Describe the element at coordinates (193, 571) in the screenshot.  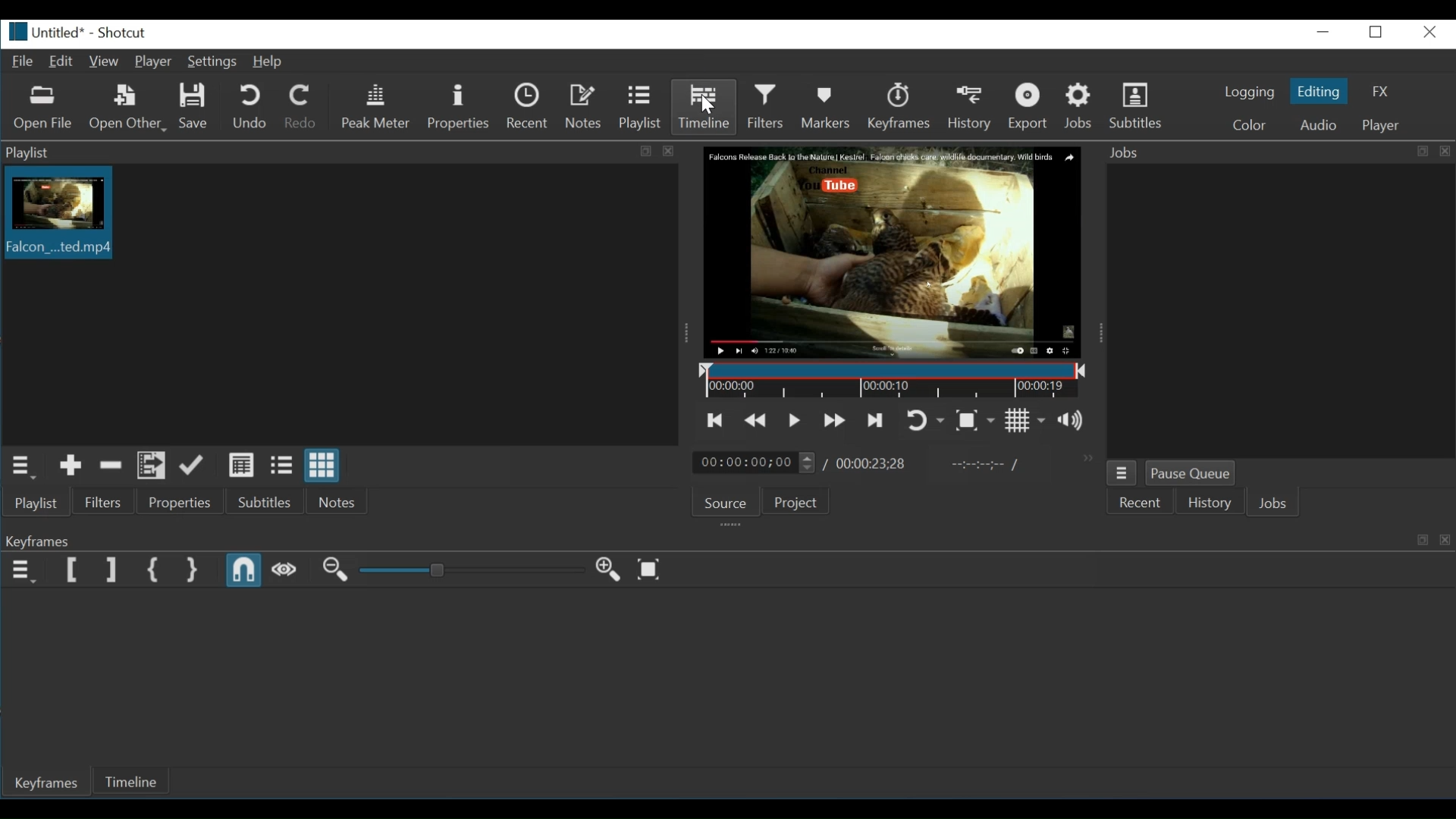
I see `Set Second Simple Keyframe` at that location.